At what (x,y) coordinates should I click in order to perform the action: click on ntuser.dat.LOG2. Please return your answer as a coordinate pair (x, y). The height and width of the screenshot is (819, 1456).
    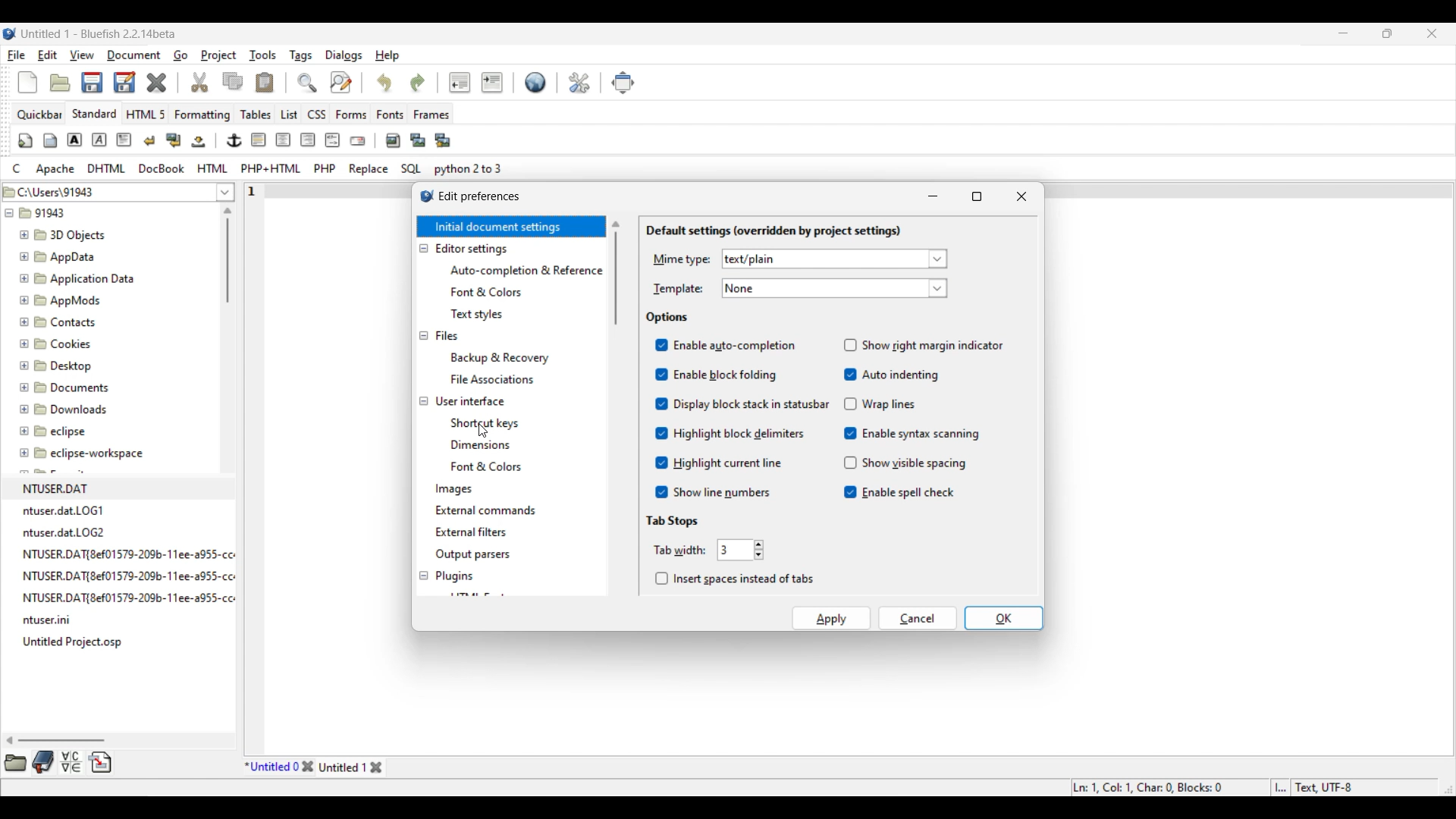
    Looking at the image, I should click on (67, 532).